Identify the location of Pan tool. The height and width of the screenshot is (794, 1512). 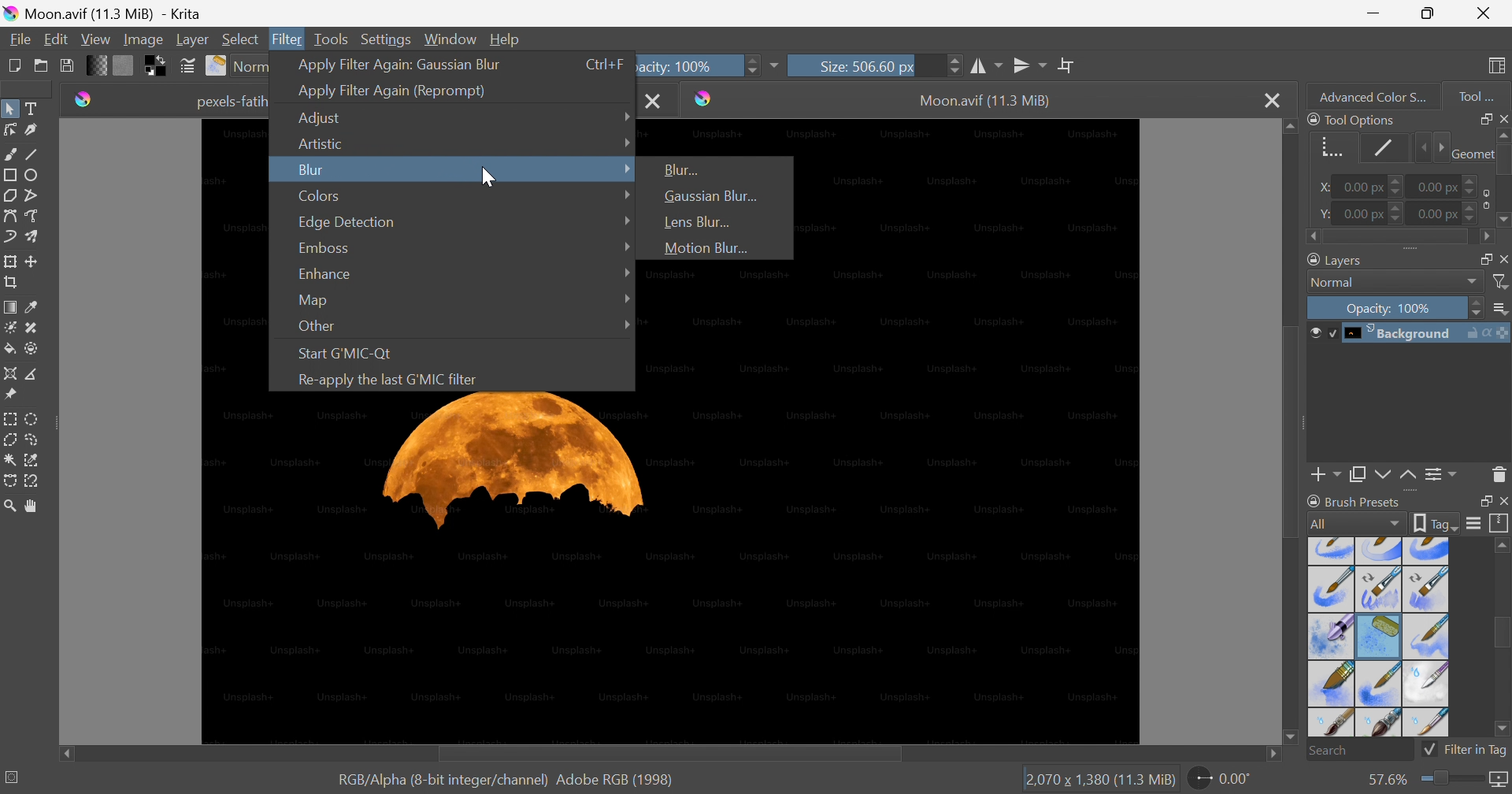
(35, 506).